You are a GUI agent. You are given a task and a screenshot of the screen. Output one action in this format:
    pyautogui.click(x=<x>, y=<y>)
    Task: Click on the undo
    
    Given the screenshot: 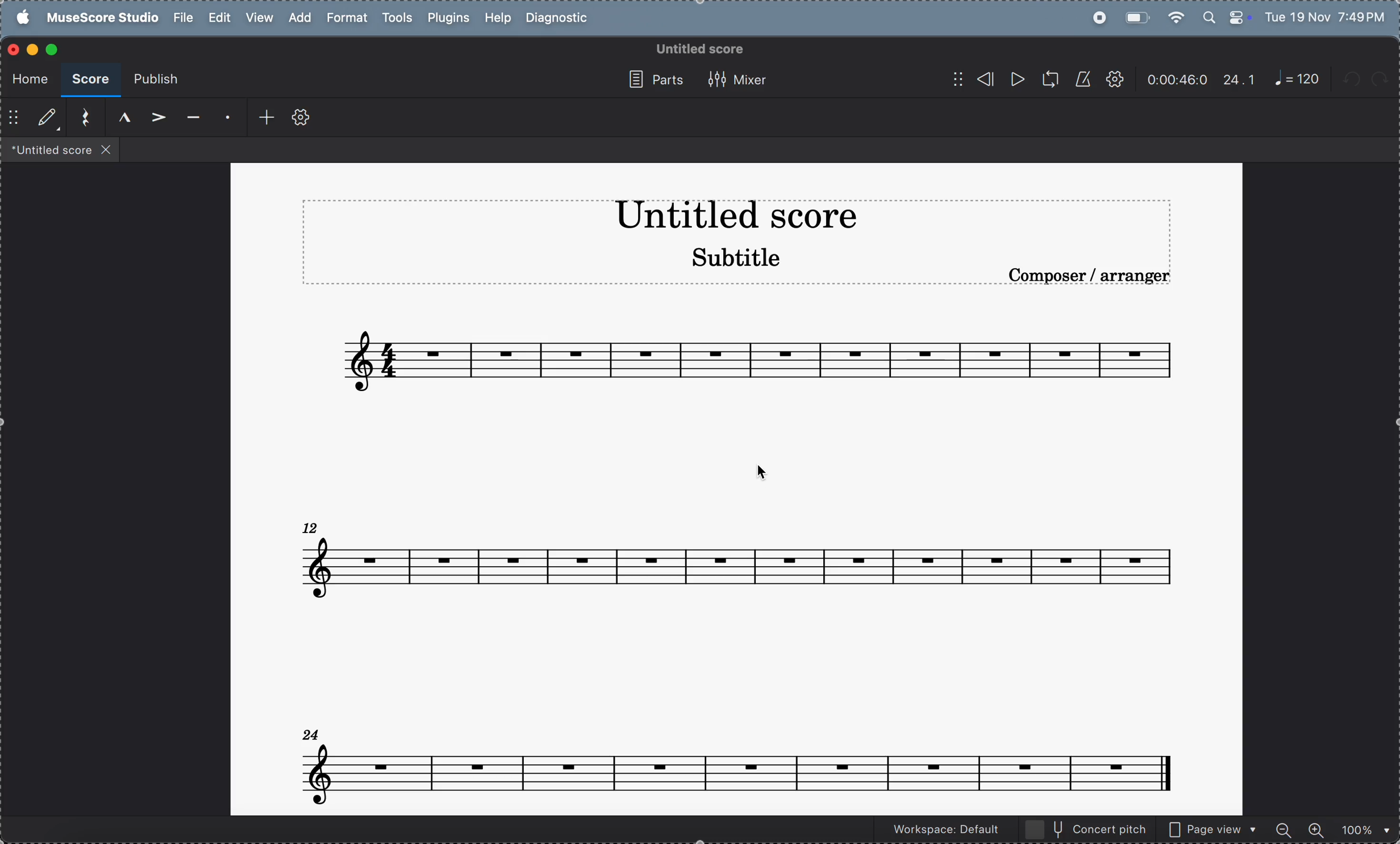 What is the action you would take?
    pyautogui.click(x=1354, y=81)
    